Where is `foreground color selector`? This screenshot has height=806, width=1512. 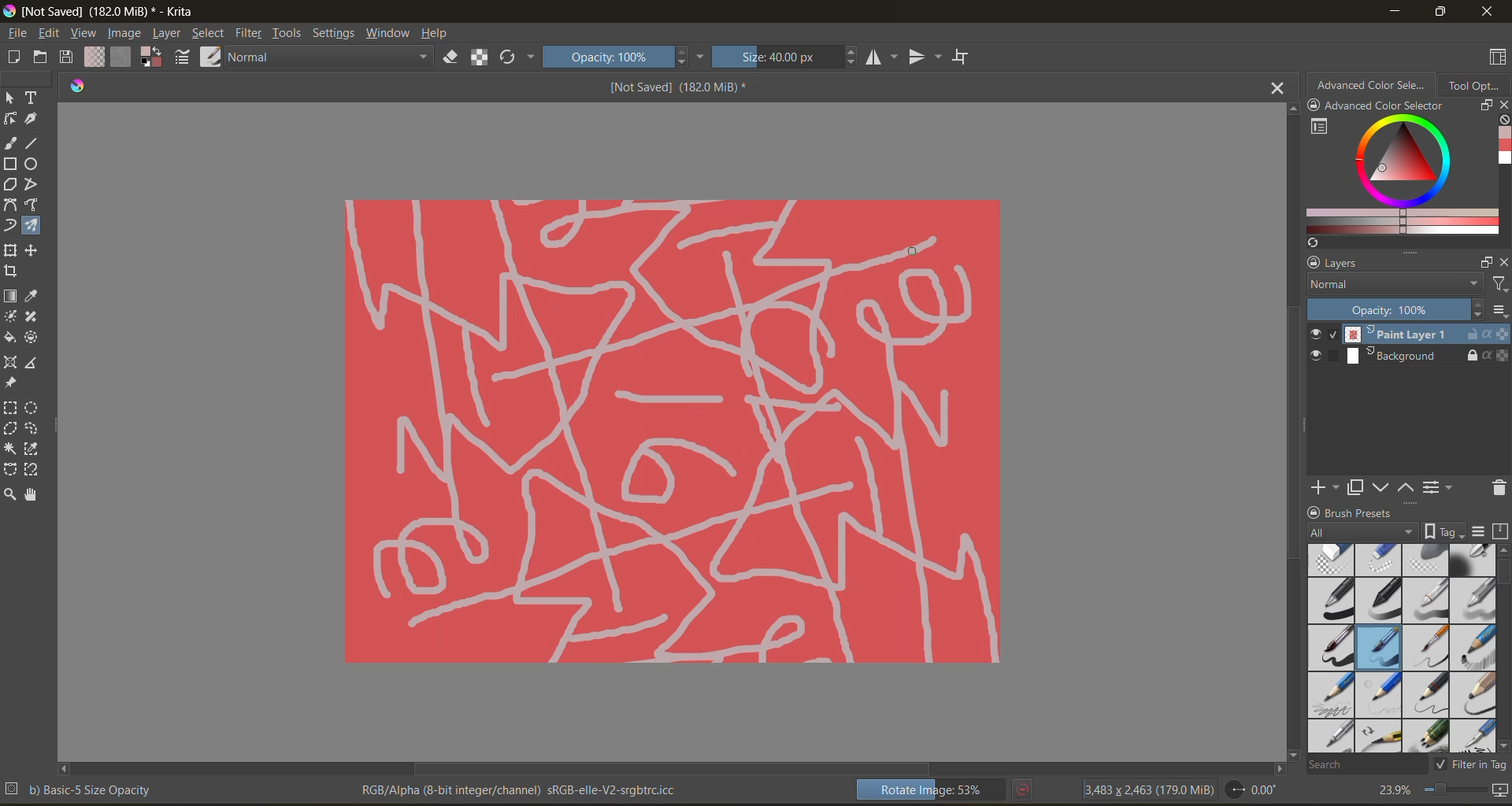 foreground color selector is located at coordinates (154, 60).